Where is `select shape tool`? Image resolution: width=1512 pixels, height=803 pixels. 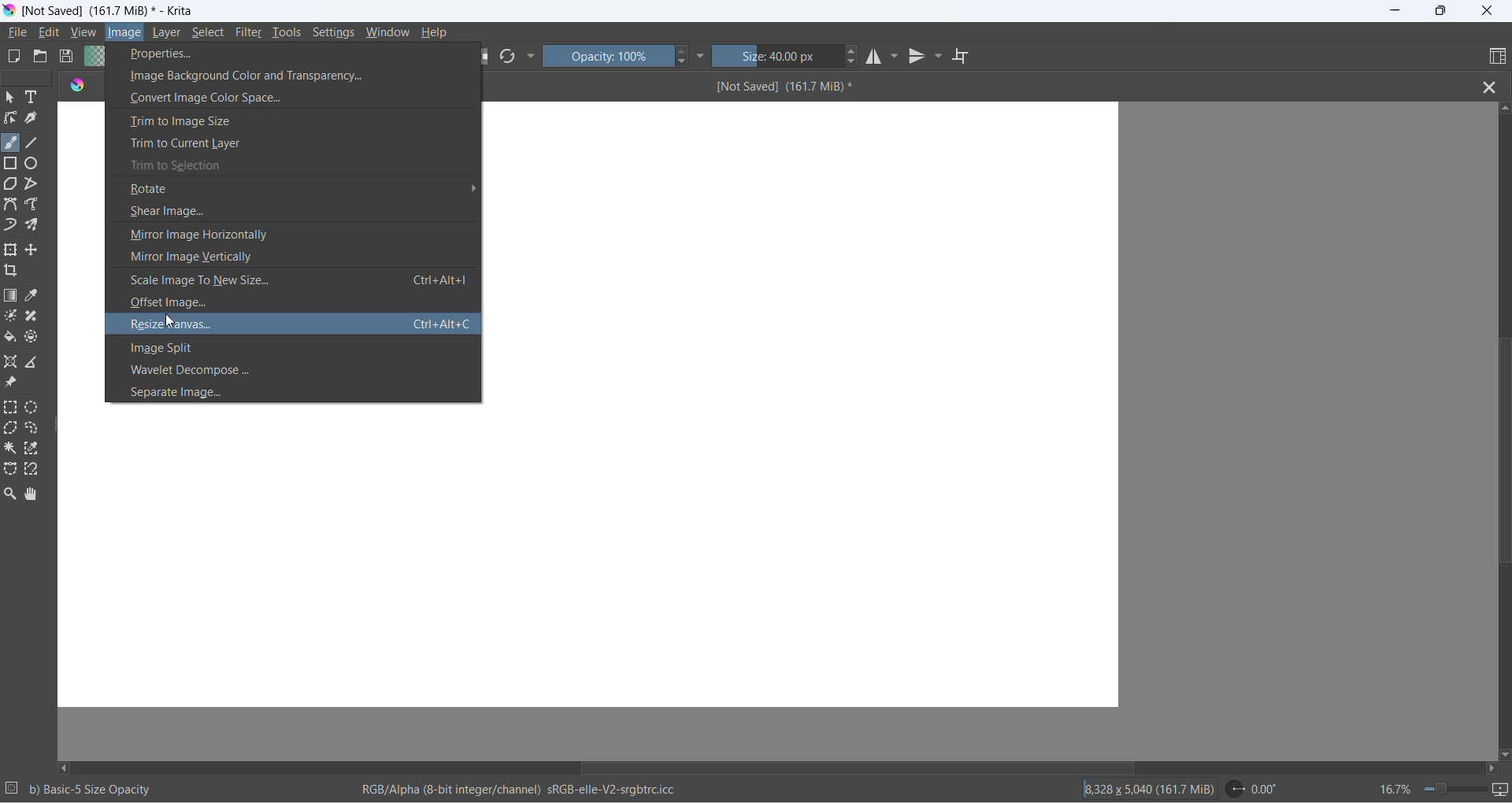
select shape tool is located at coordinates (10, 98).